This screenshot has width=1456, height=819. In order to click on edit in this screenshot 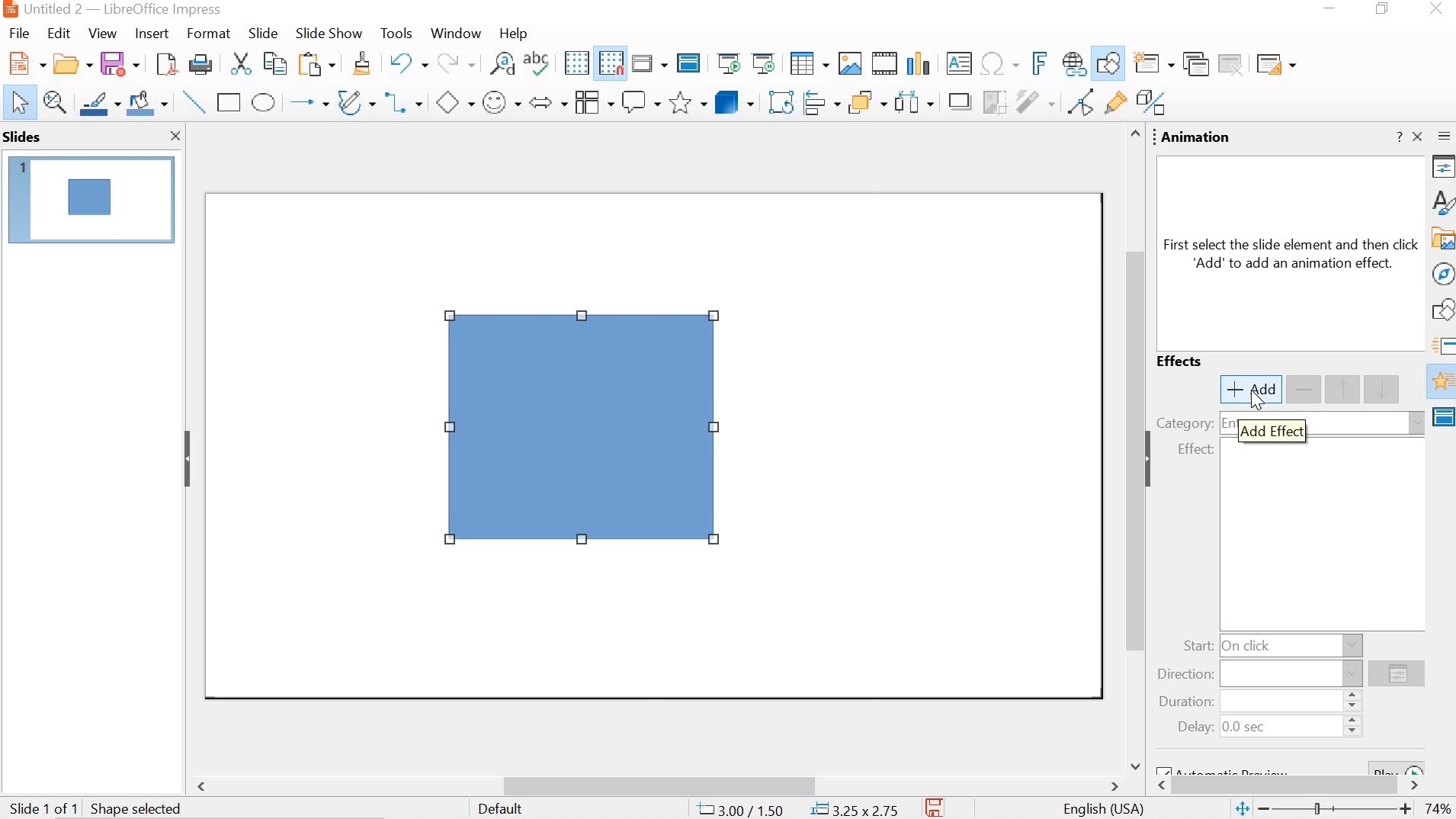, I will do `click(59, 35)`.